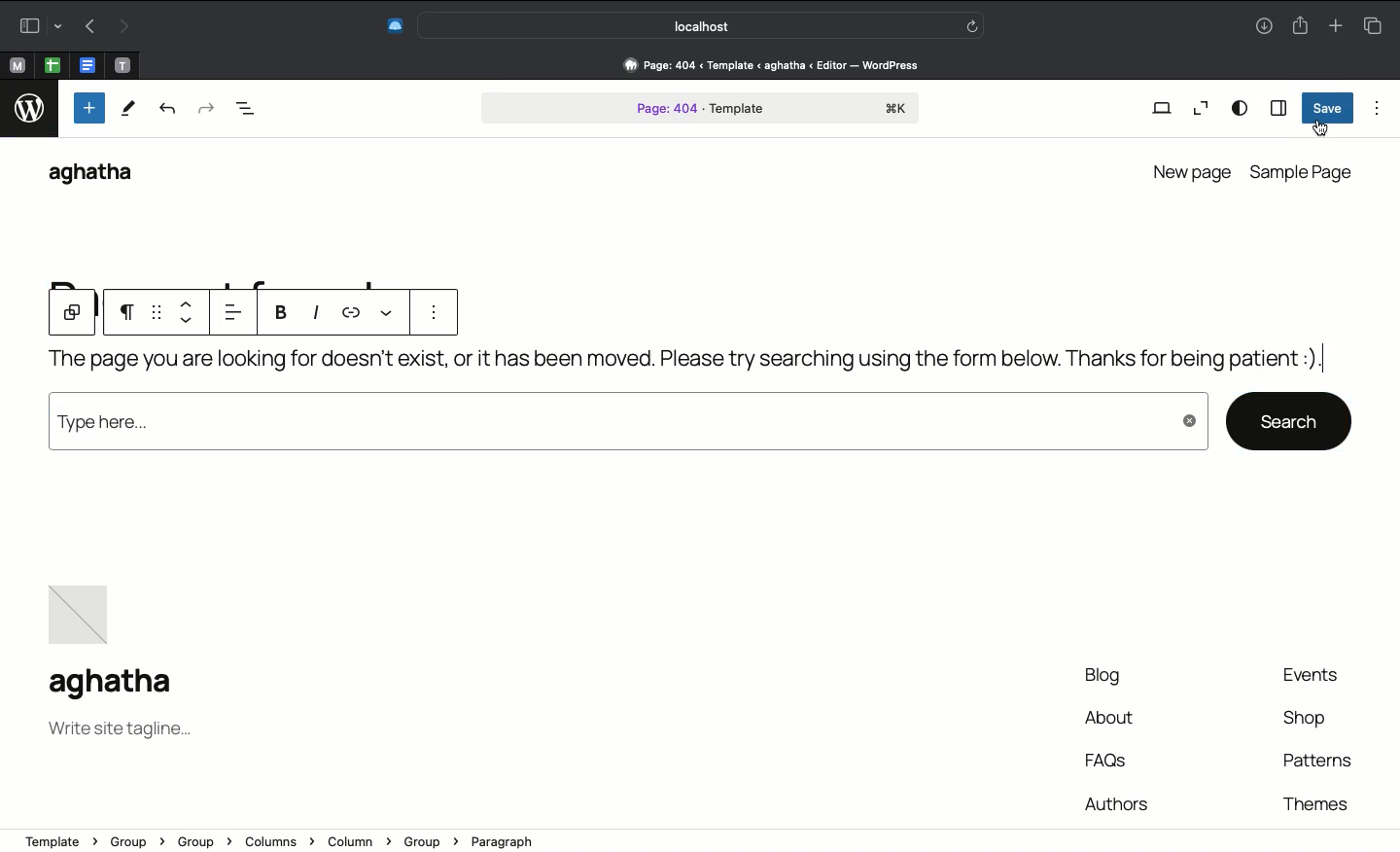  Describe the element at coordinates (51, 65) in the screenshot. I see `open tab, google sheet` at that location.